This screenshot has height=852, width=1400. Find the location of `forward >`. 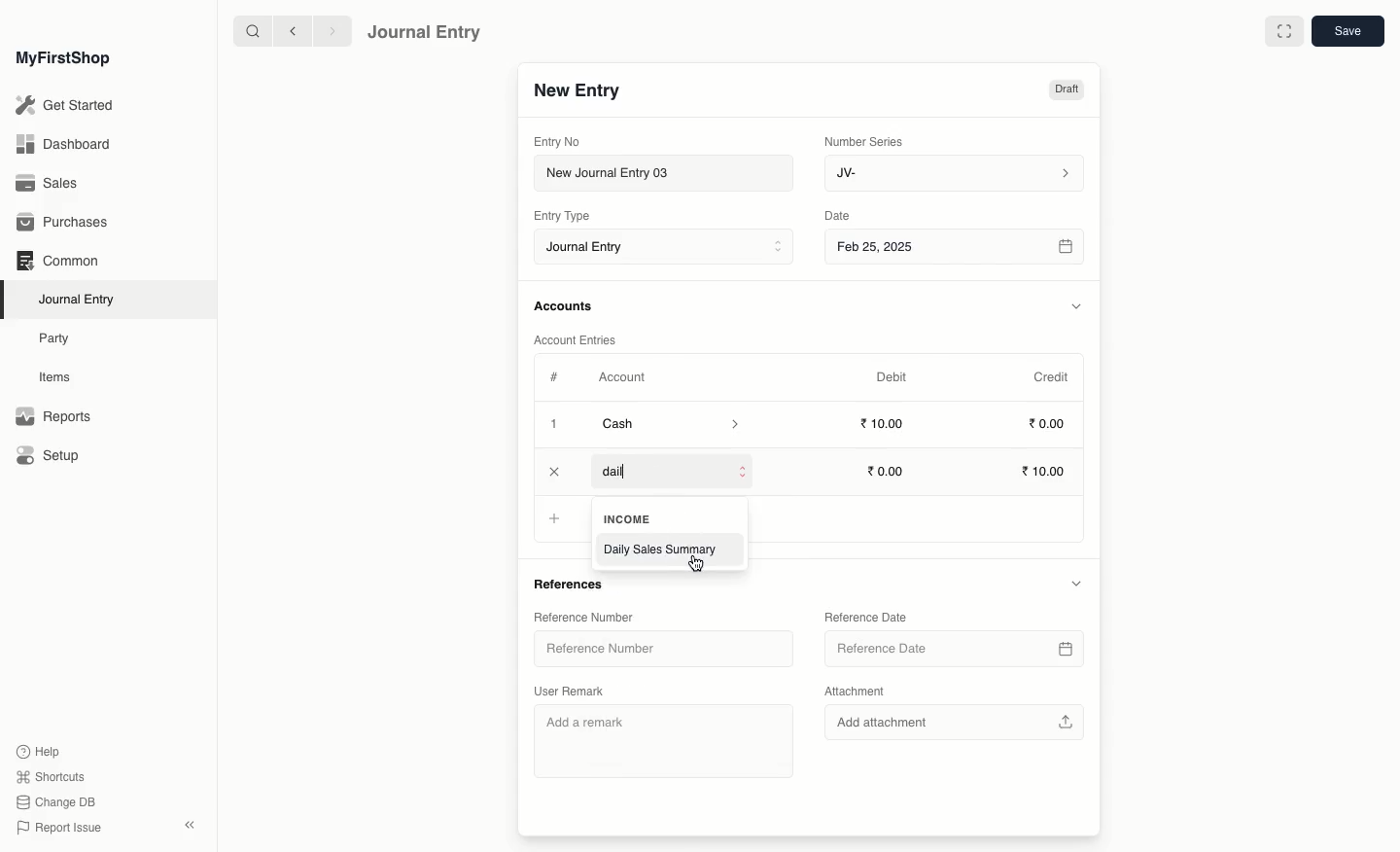

forward > is located at coordinates (328, 30).